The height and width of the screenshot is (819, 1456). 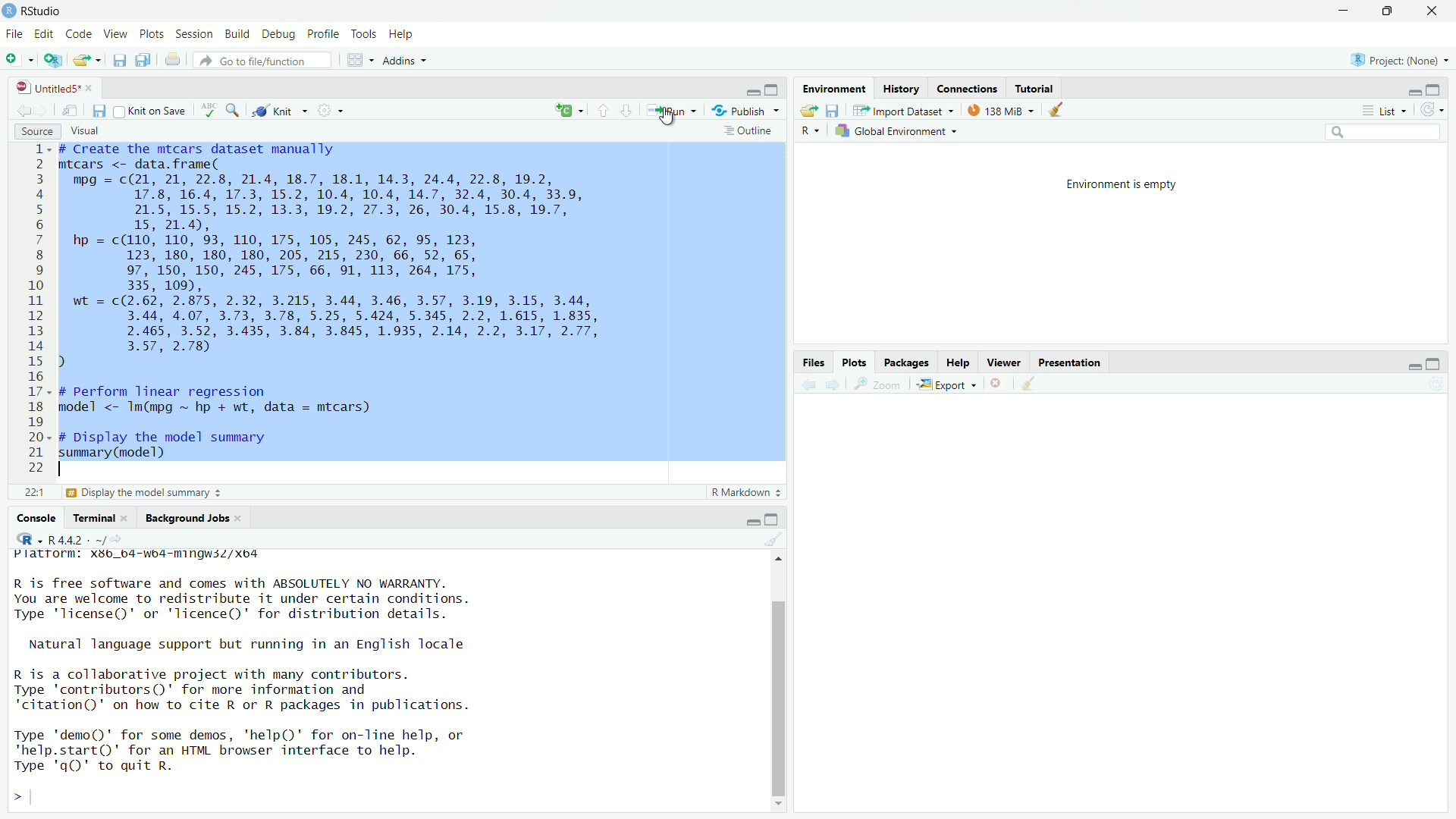 I want to click on Environment, so click(x=833, y=89).